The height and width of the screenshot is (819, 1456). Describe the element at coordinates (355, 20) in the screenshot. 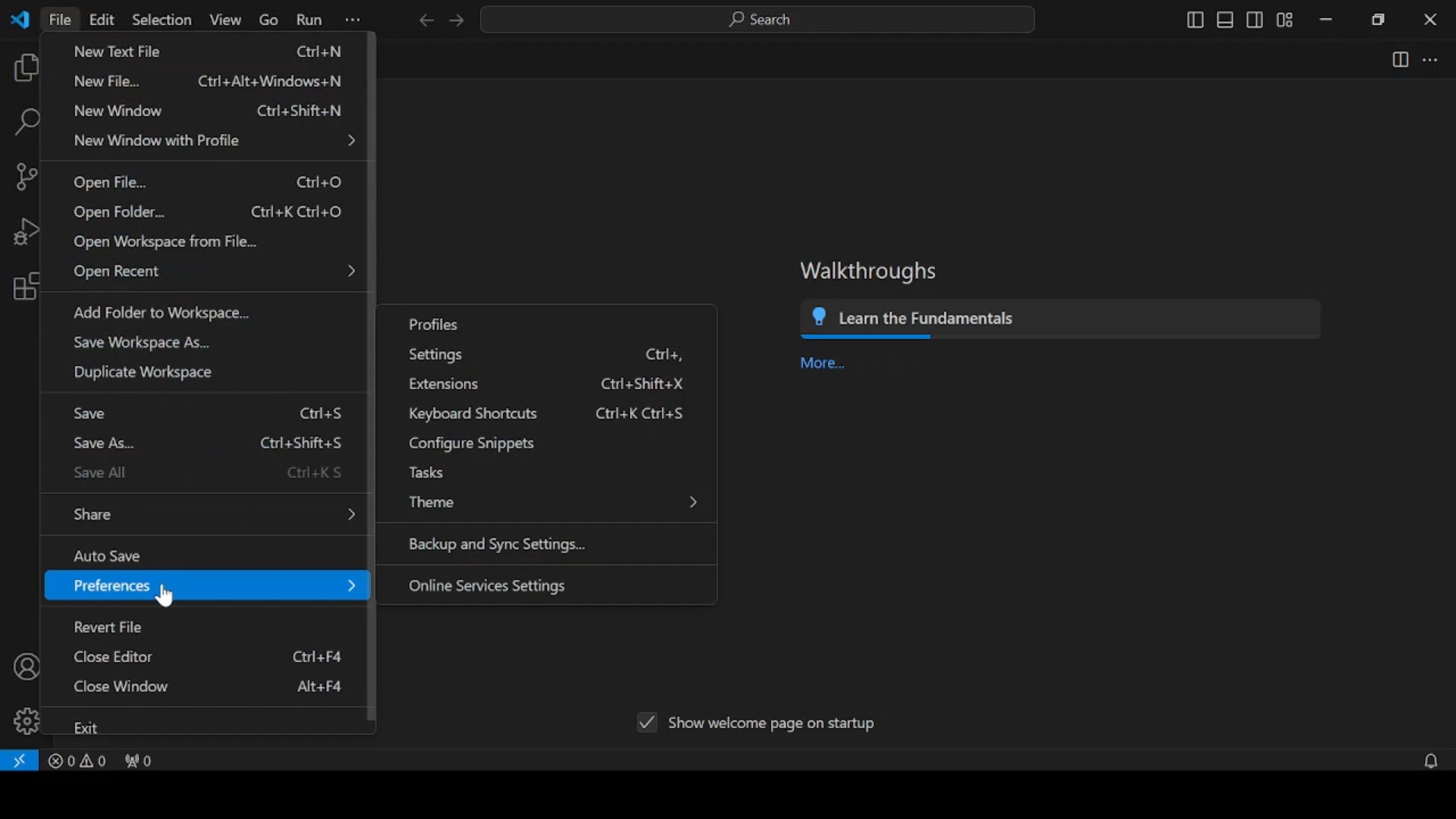

I see `more options` at that location.